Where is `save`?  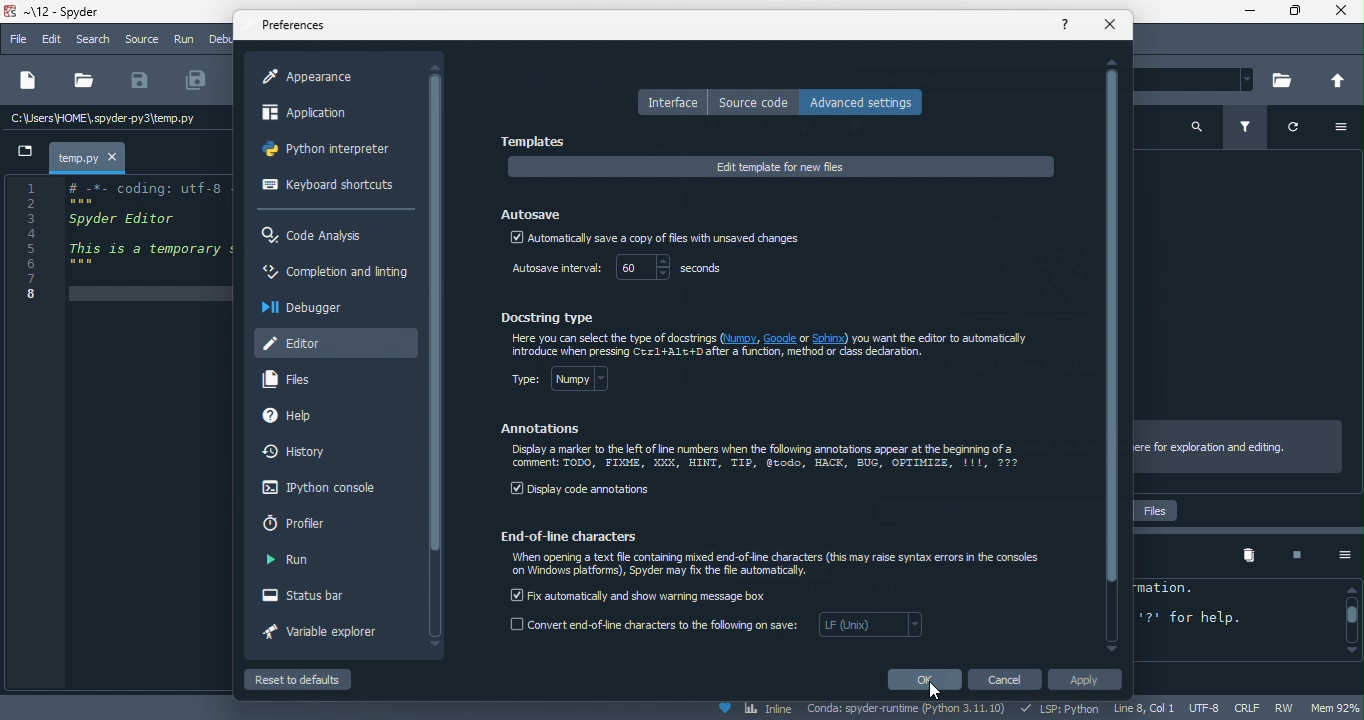
save is located at coordinates (140, 81).